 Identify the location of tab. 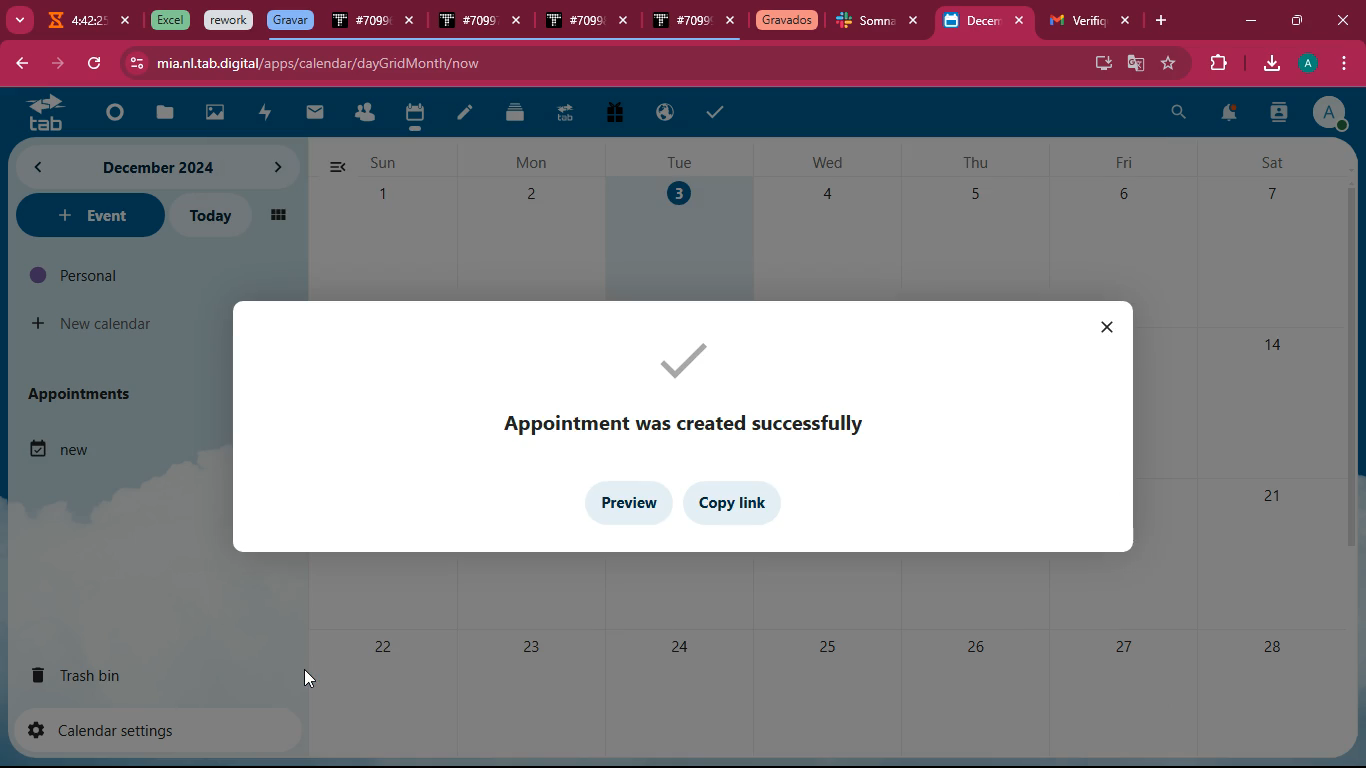
(681, 23).